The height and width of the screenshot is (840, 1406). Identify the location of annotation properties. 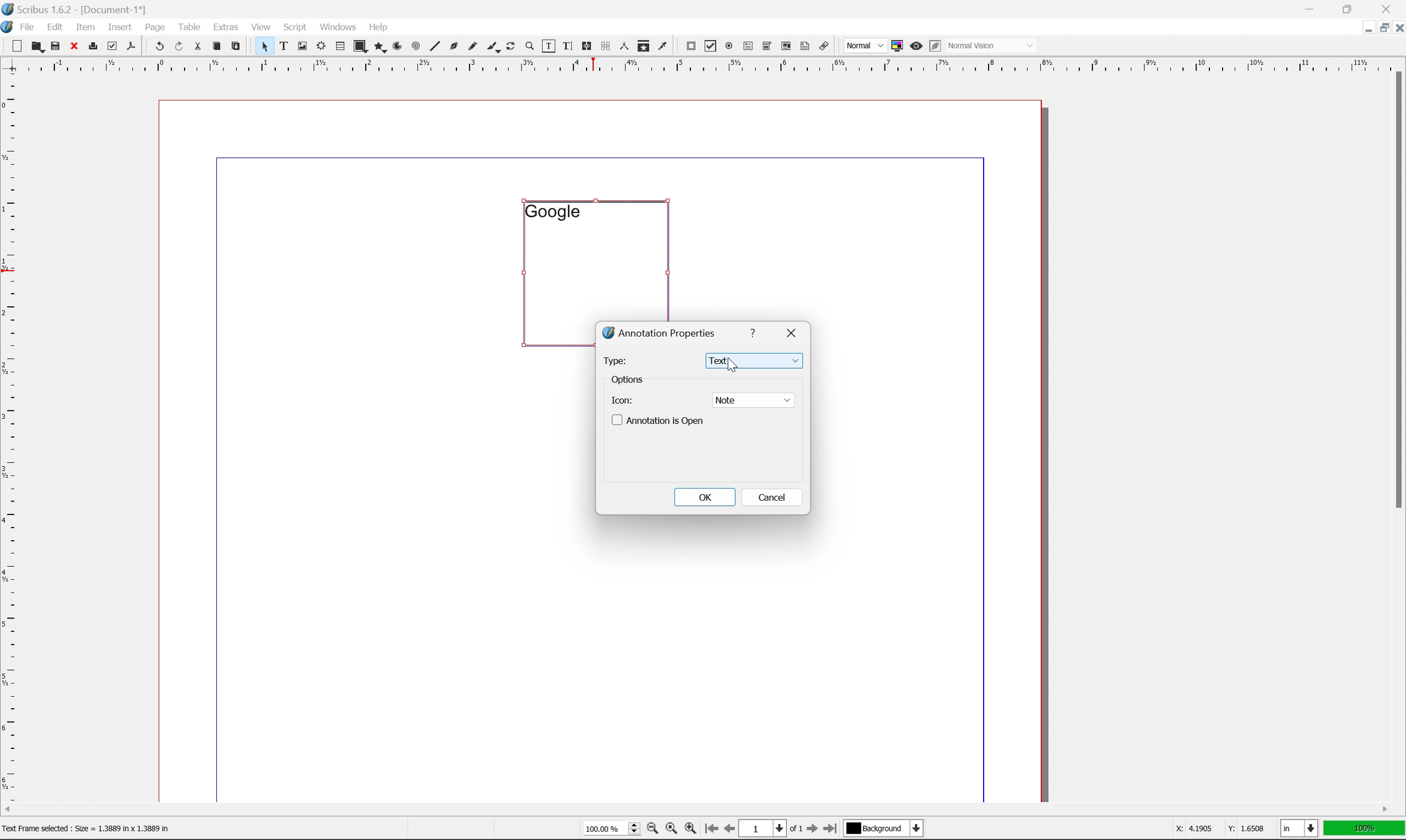
(660, 332).